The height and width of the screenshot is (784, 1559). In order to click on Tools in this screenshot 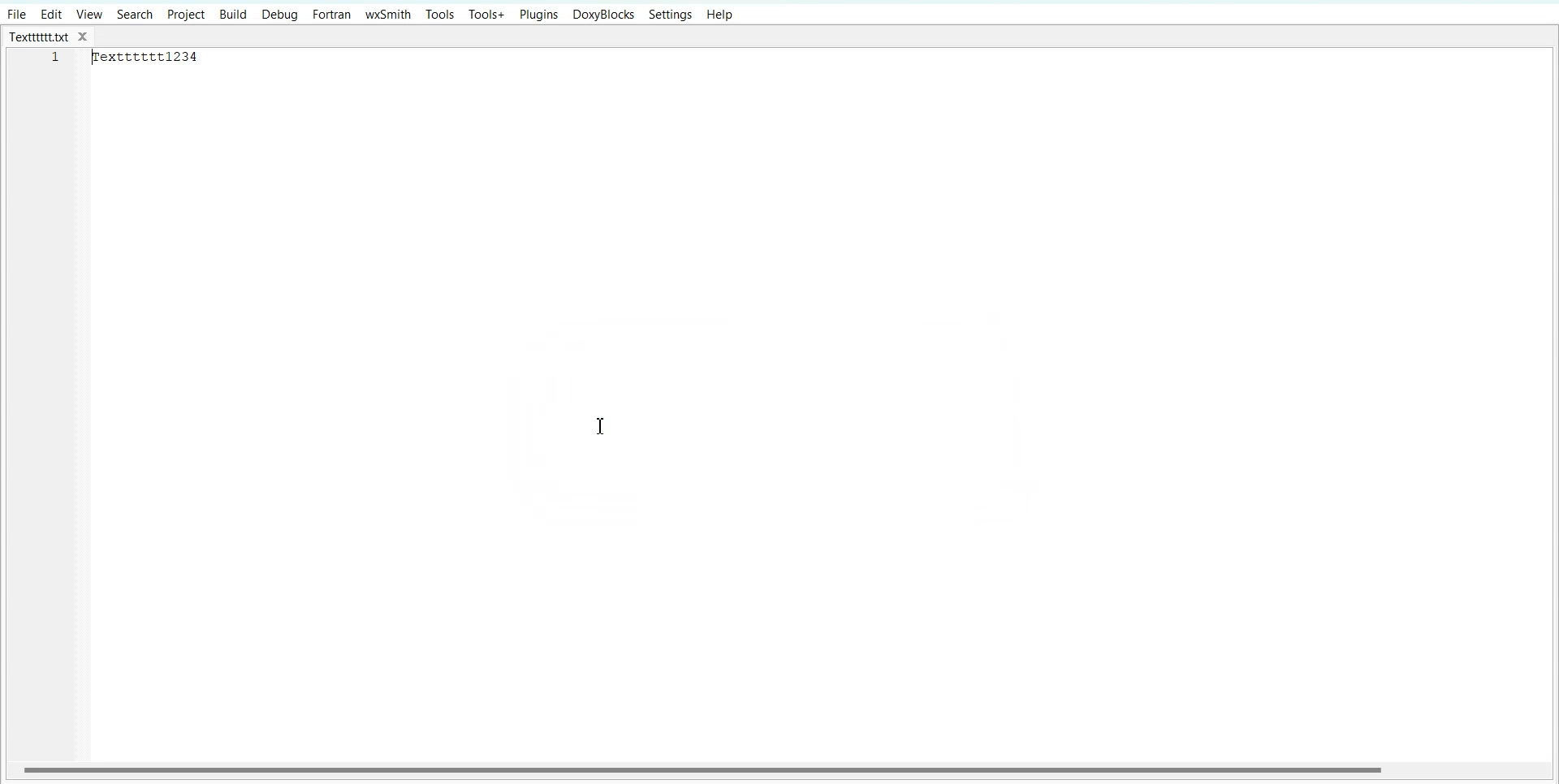, I will do `click(440, 14)`.